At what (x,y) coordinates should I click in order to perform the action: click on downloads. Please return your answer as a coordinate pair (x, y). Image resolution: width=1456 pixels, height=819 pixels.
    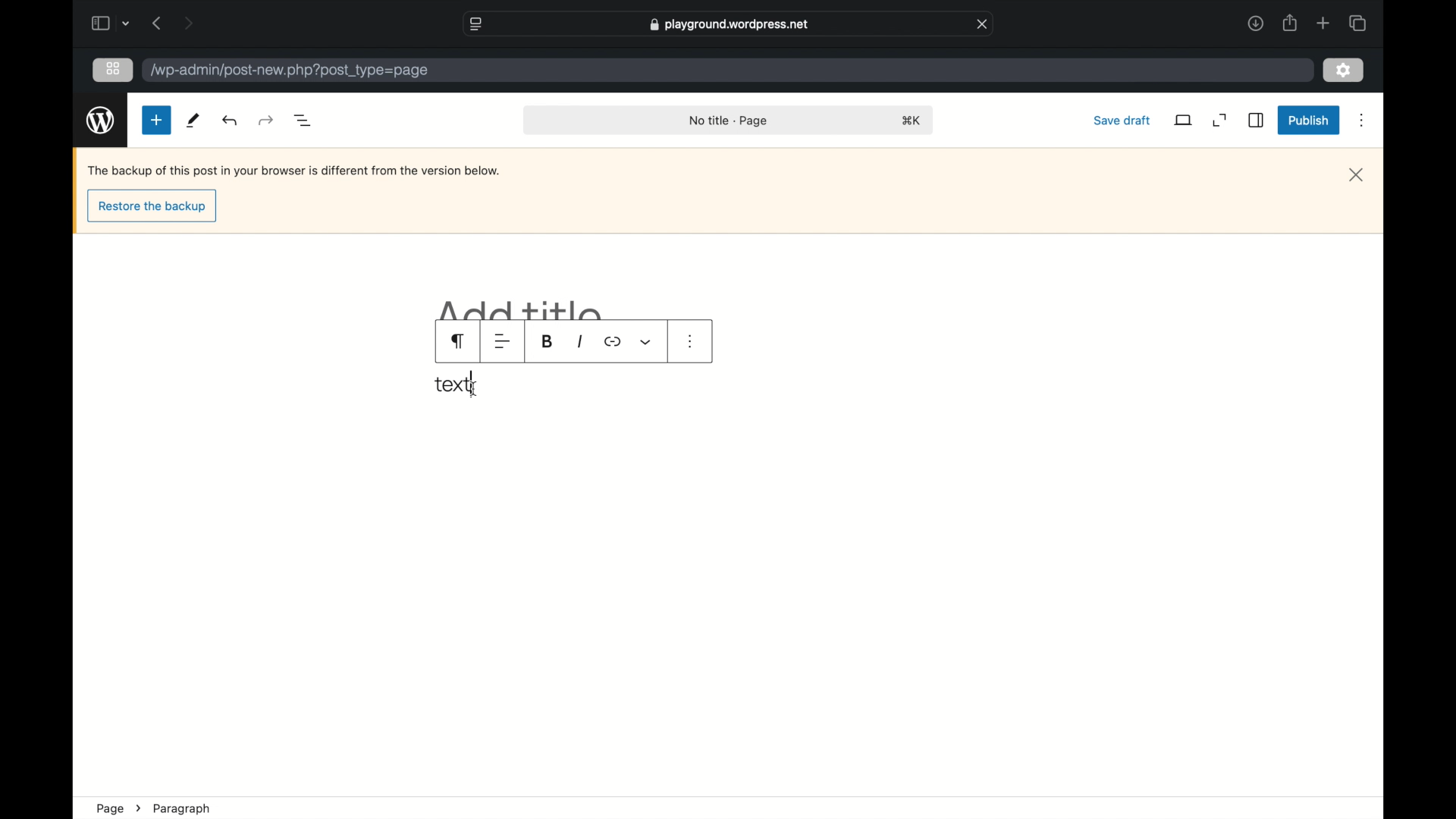
    Looking at the image, I should click on (1256, 23).